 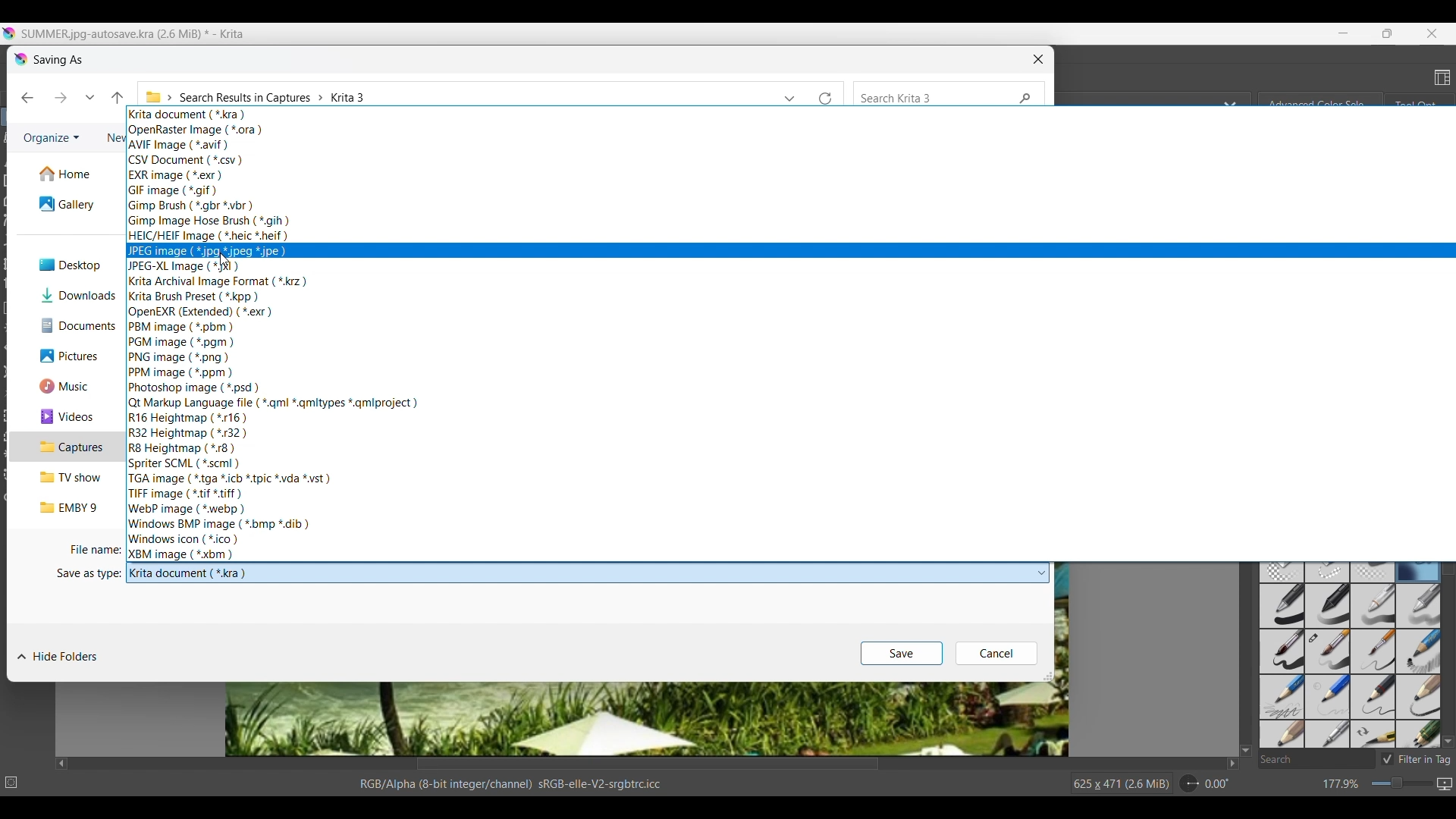 I want to click on Close interface, so click(x=1432, y=33).